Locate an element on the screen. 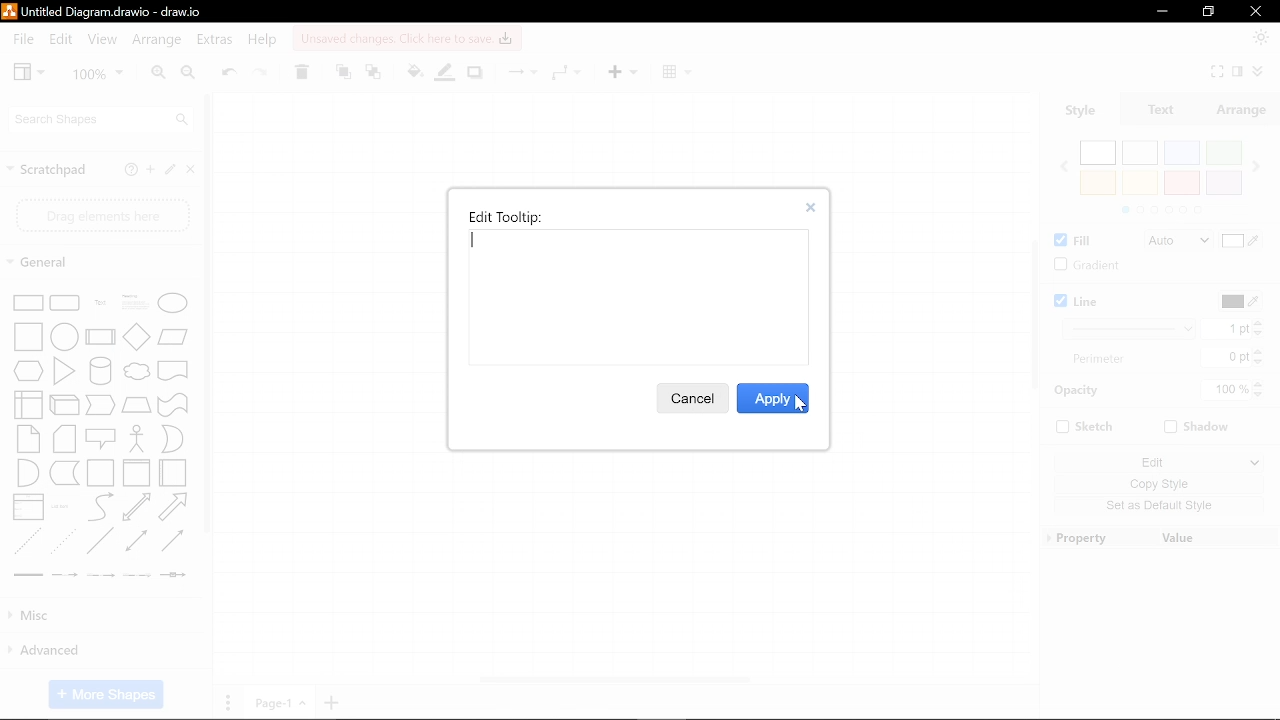 This screenshot has height=720, width=1280. Apply is located at coordinates (774, 398).